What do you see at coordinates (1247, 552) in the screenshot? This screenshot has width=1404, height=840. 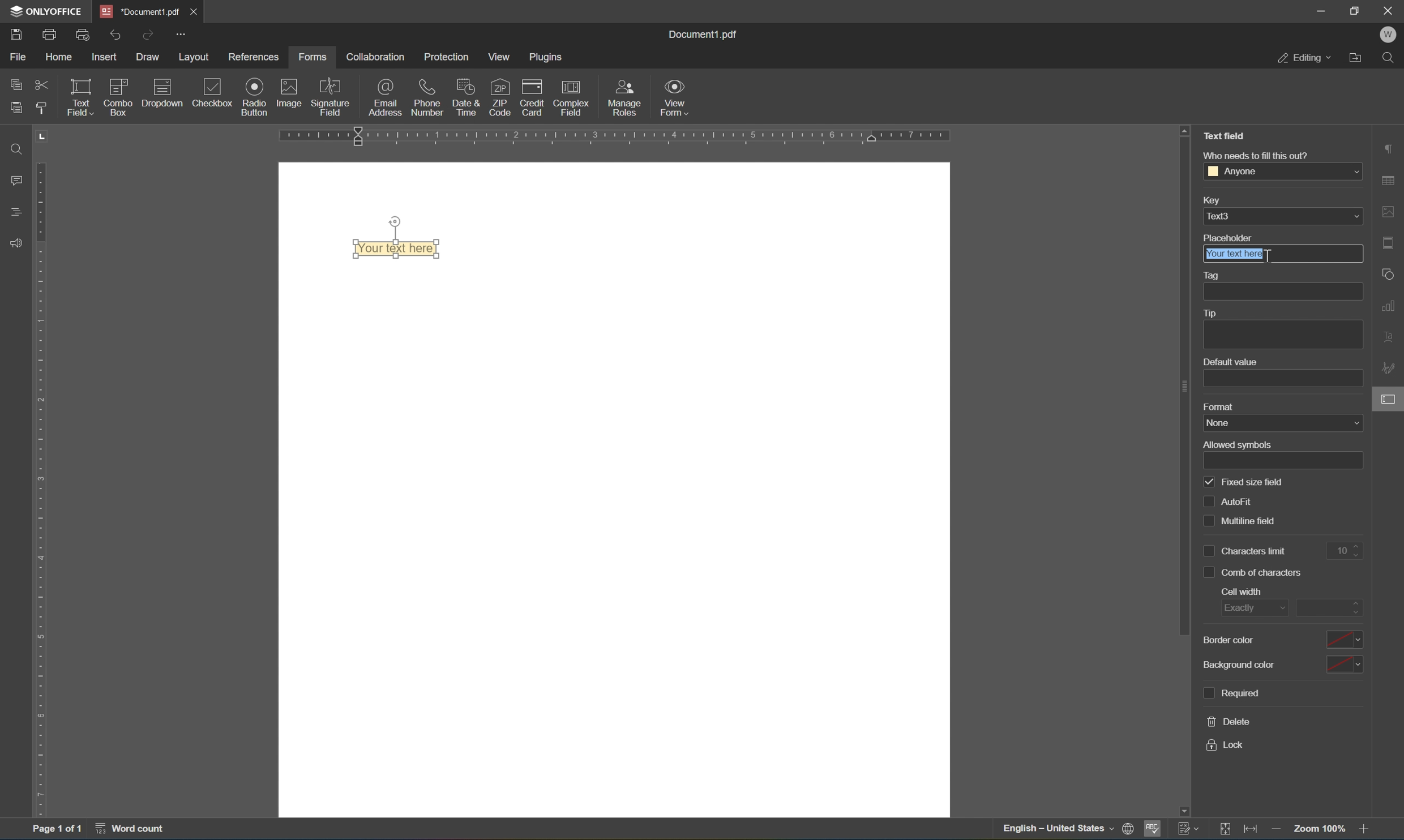 I see `characters limit` at bounding box center [1247, 552].